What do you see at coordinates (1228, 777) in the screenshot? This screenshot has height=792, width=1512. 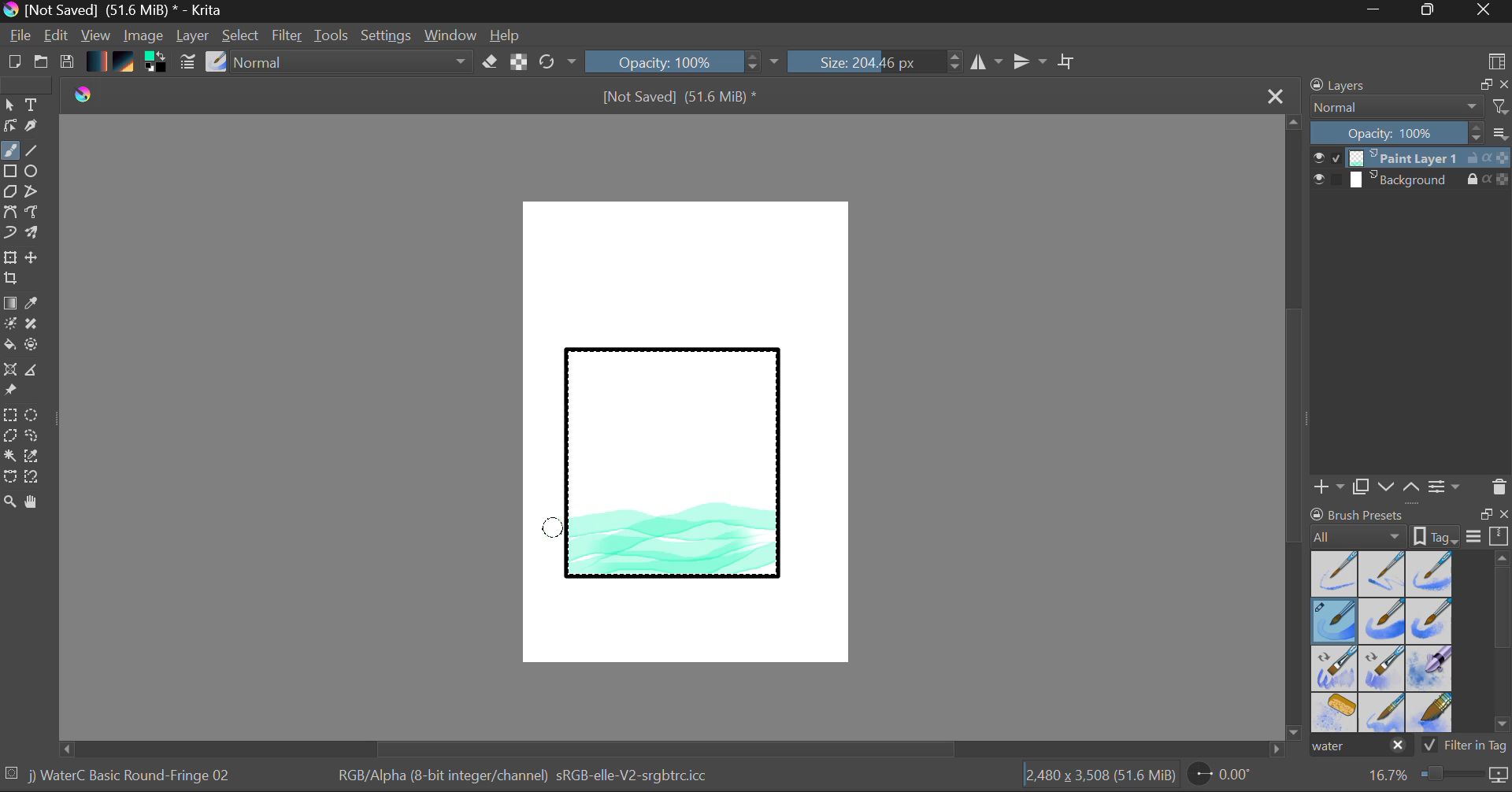 I see `Page Rotation` at bounding box center [1228, 777].